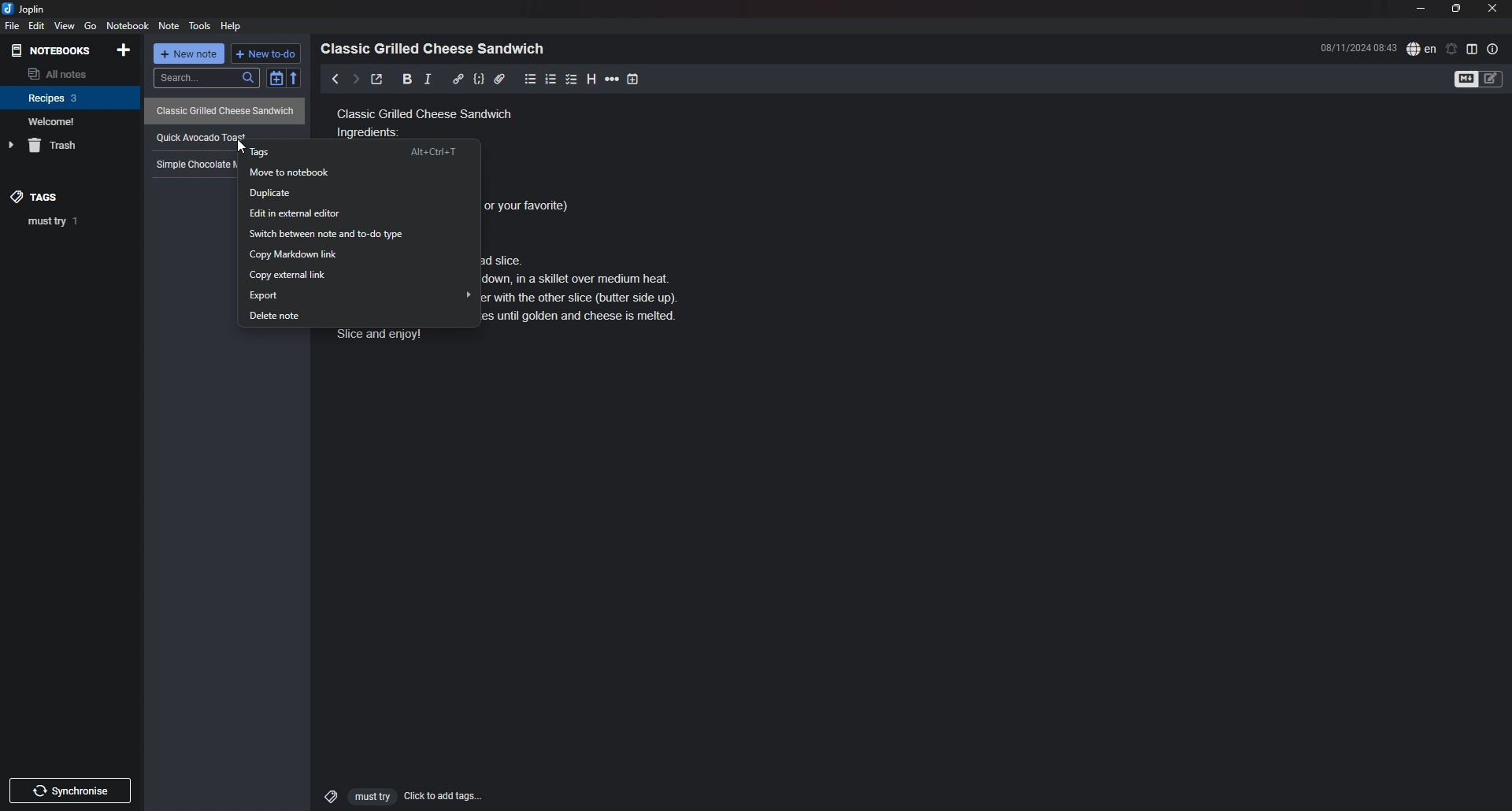 The height and width of the screenshot is (811, 1512). Describe the element at coordinates (125, 49) in the screenshot. I see `add notebook` at that location.